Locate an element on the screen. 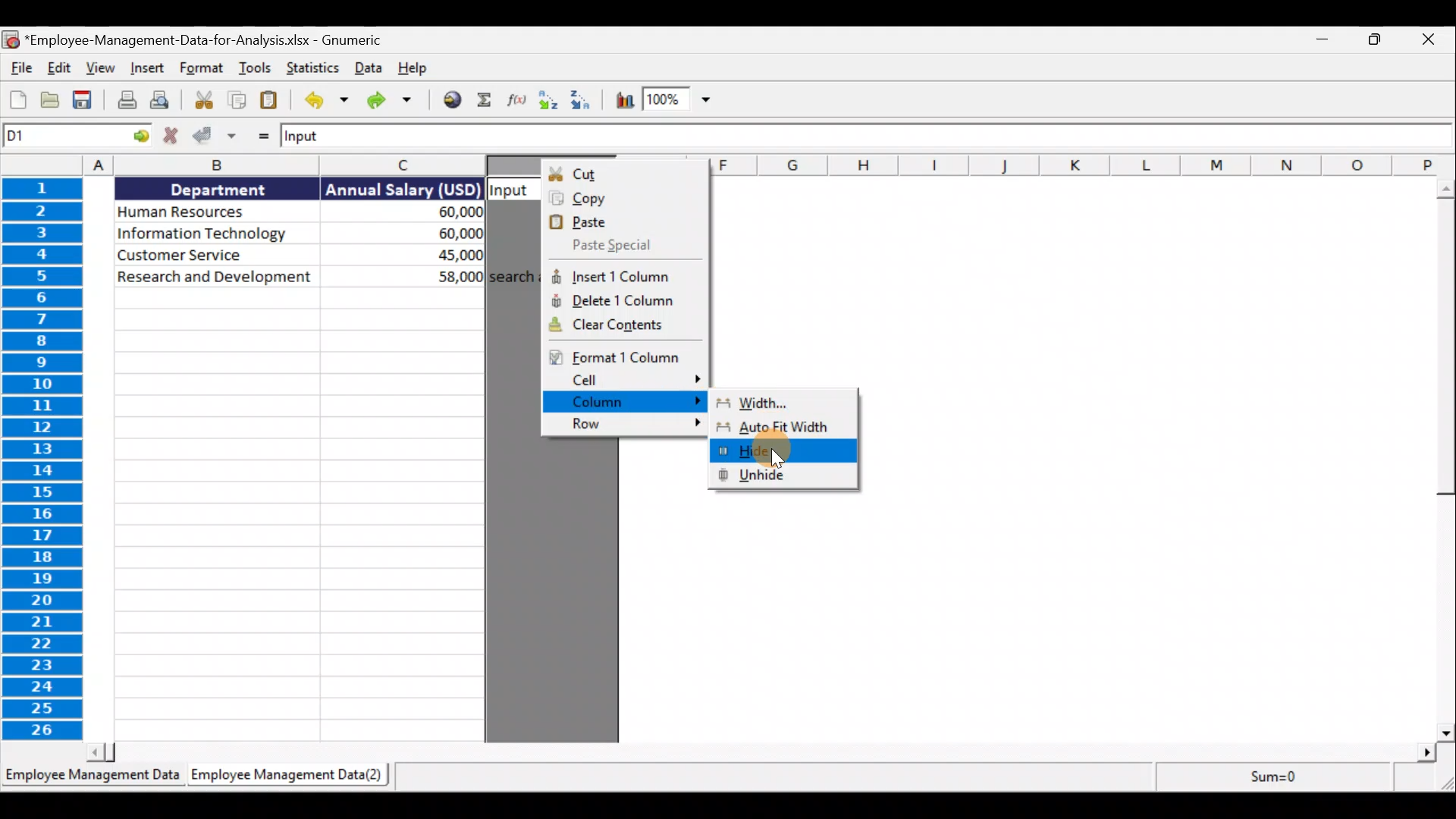  File is located at coordinates (18, 63).